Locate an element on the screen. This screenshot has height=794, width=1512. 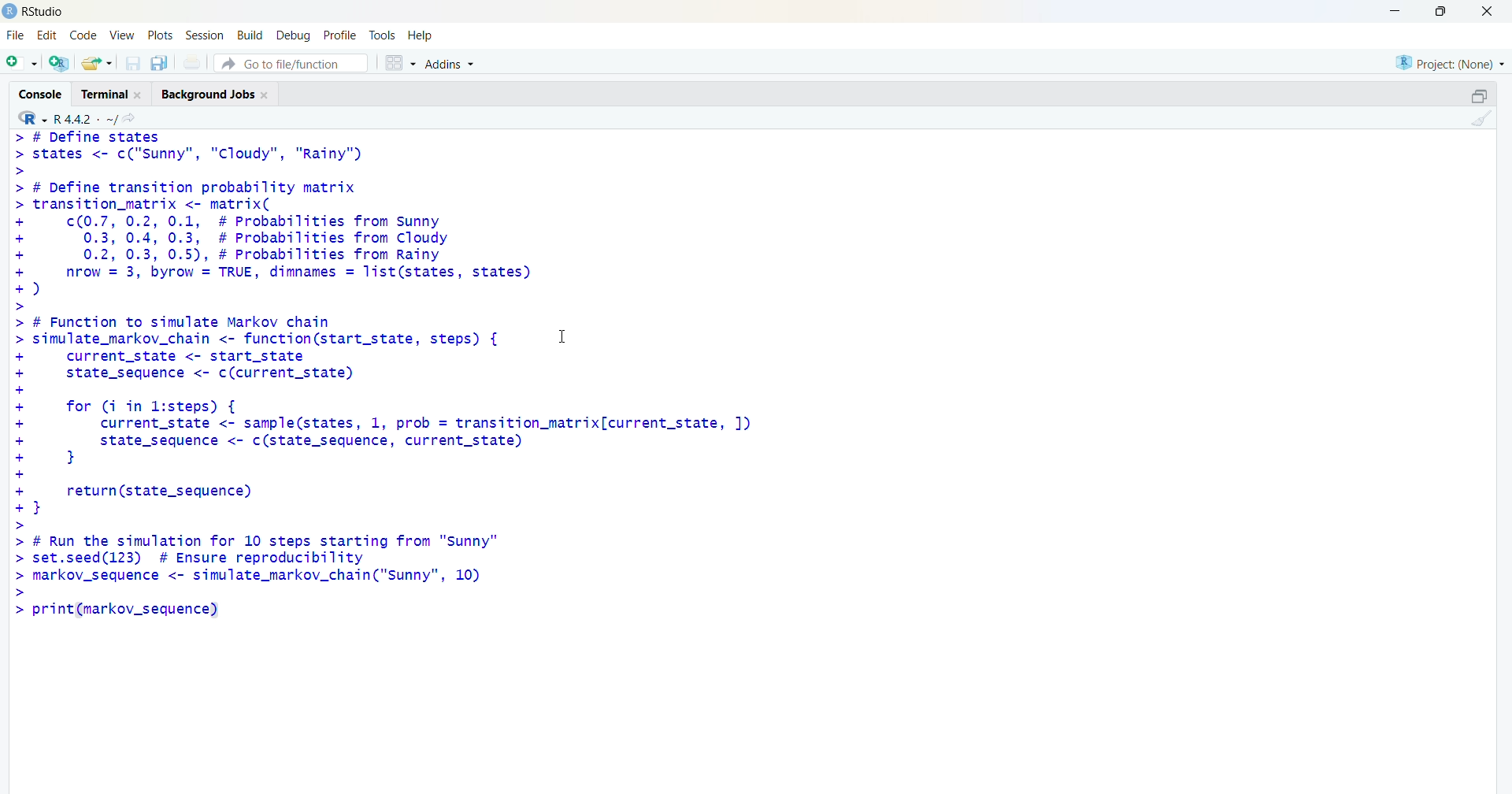
view the current working directory is located at coordinates (134, 118).